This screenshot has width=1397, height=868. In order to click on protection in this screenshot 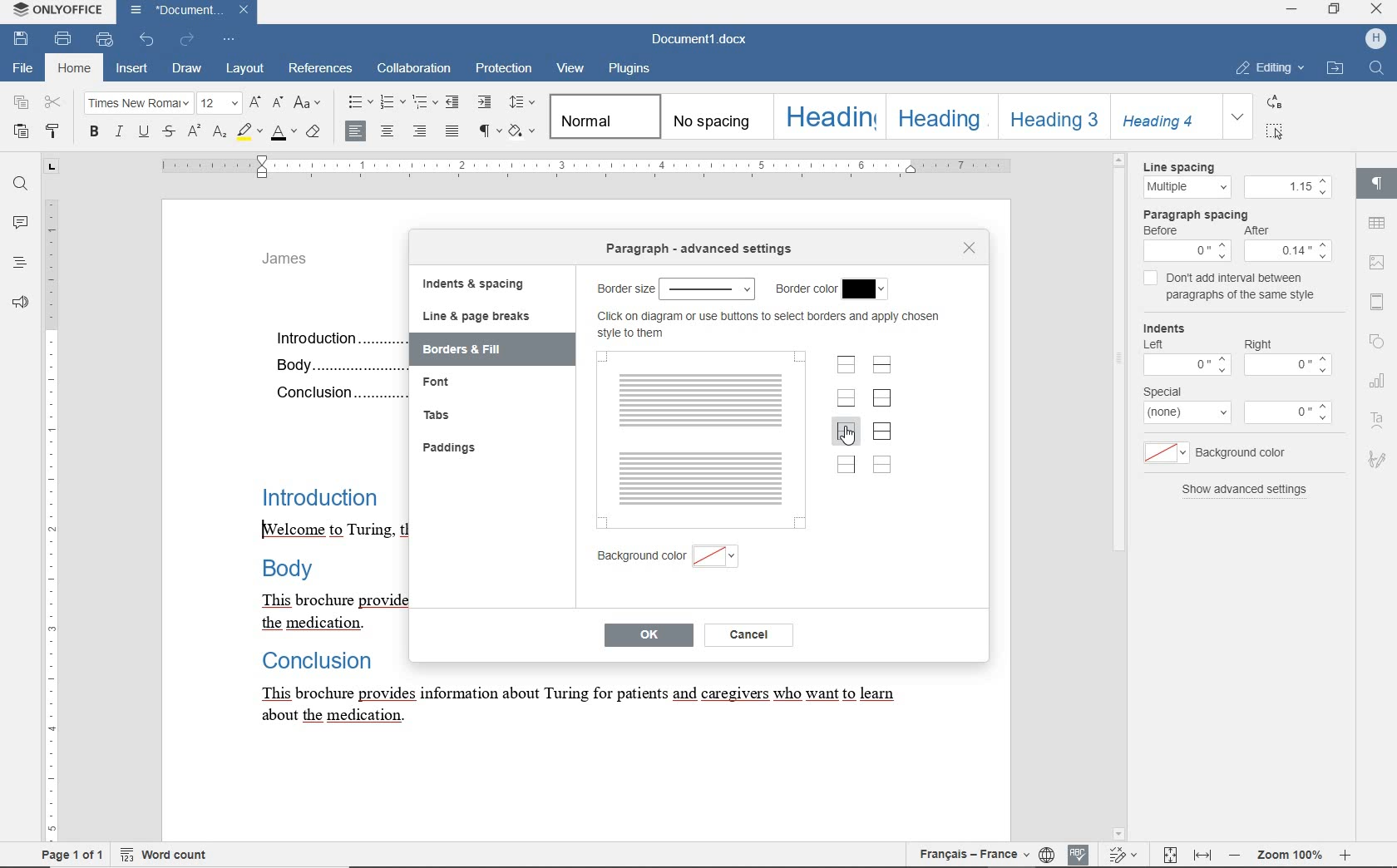, I will do `click(502, 69)`.